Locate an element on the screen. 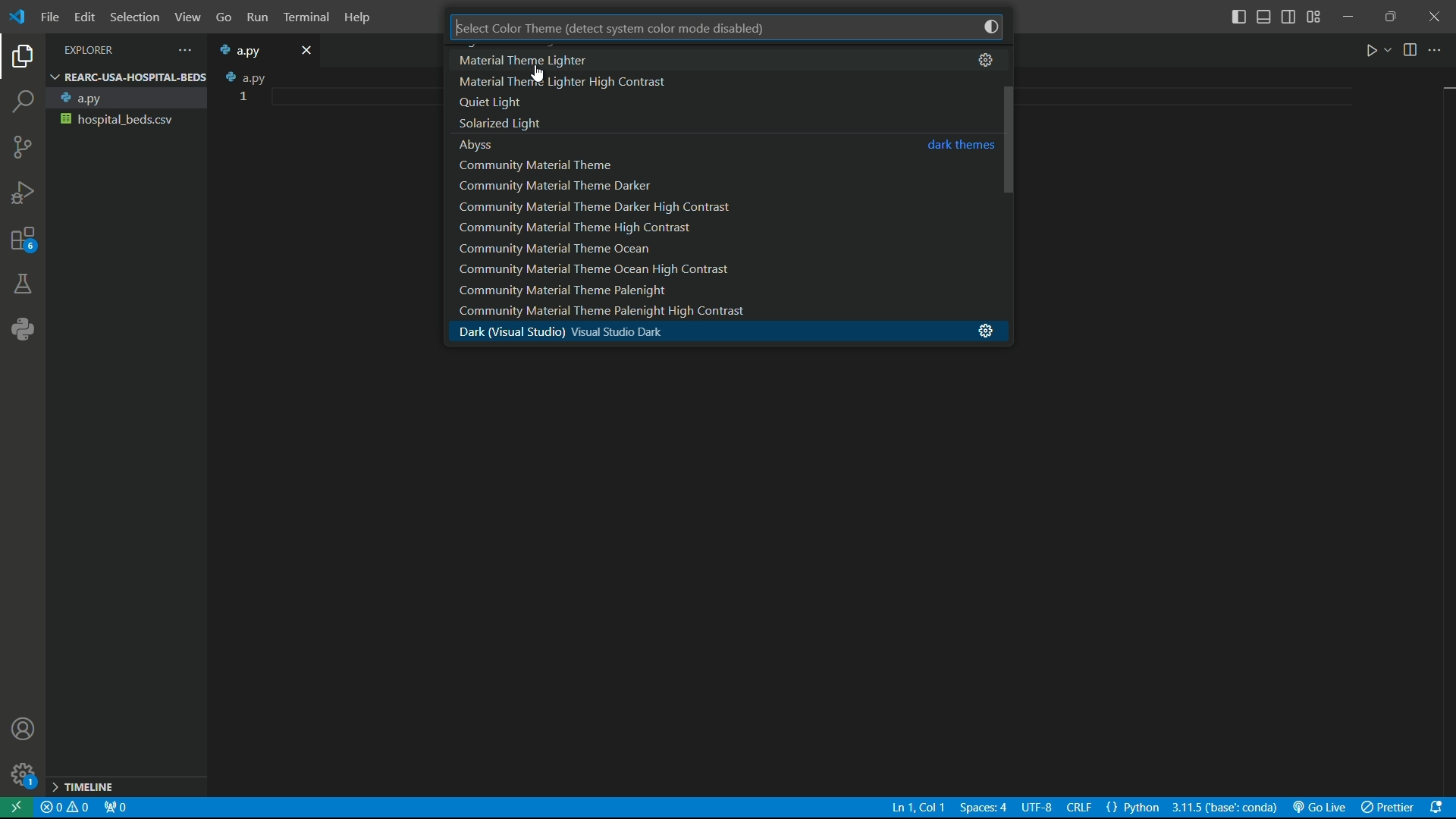 The height and width of the screenshot is (819, 1456). Timeline is located at coordinates (90, 789).